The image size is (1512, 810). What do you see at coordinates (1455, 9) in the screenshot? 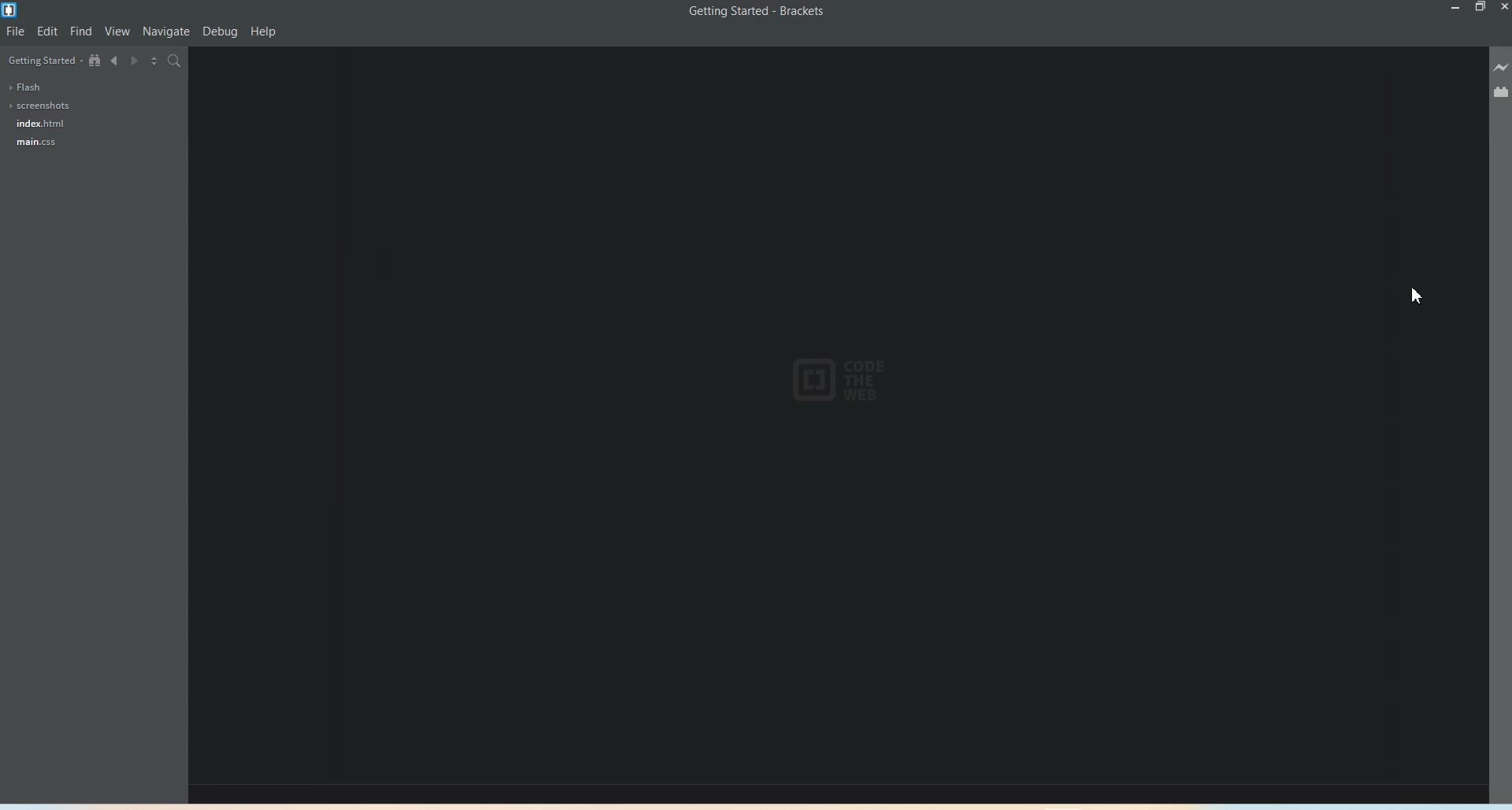
I see `Minimize` at bounding box center [1455, 9].